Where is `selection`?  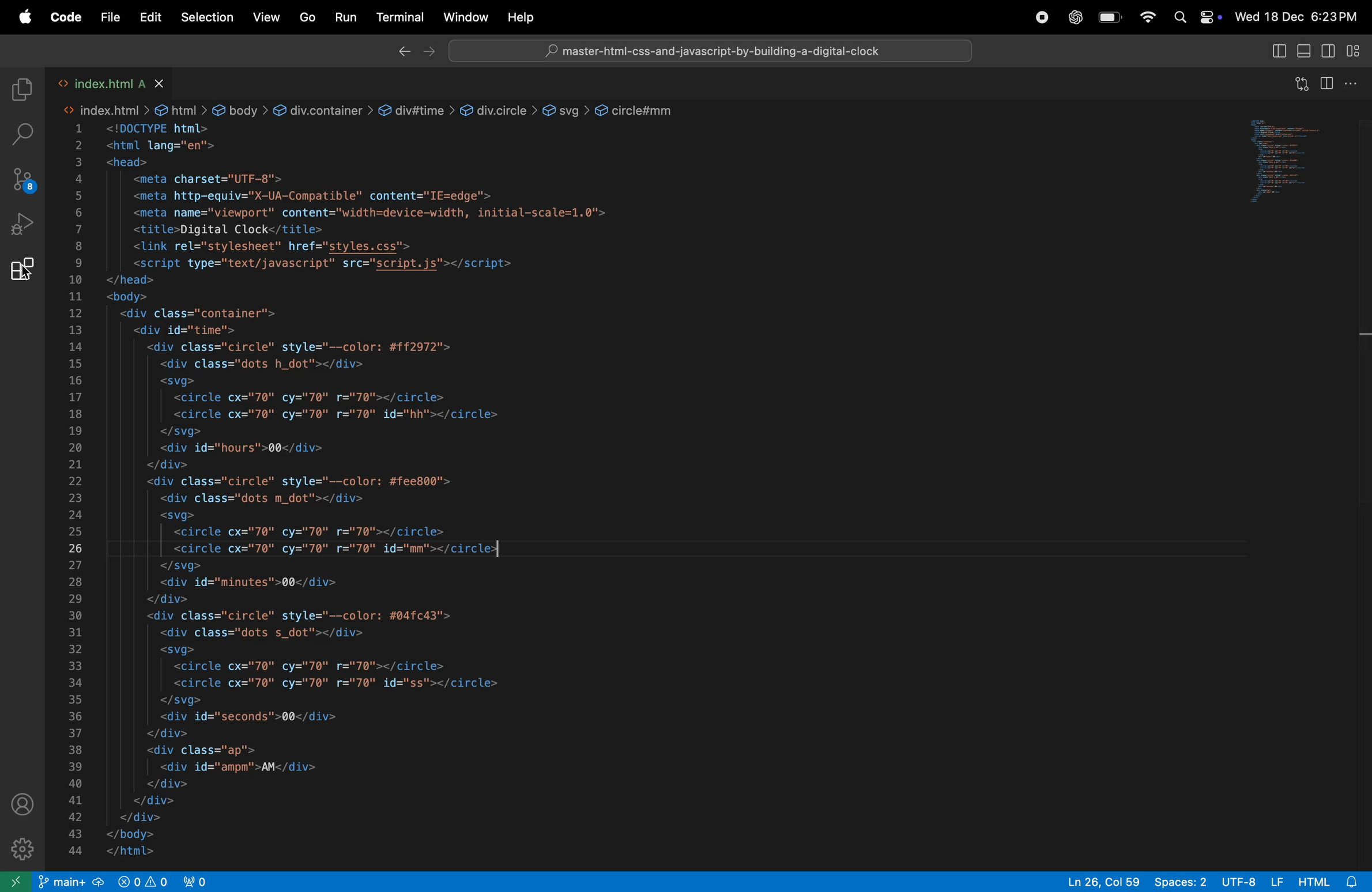
selection is located at coordinates (207, 20).